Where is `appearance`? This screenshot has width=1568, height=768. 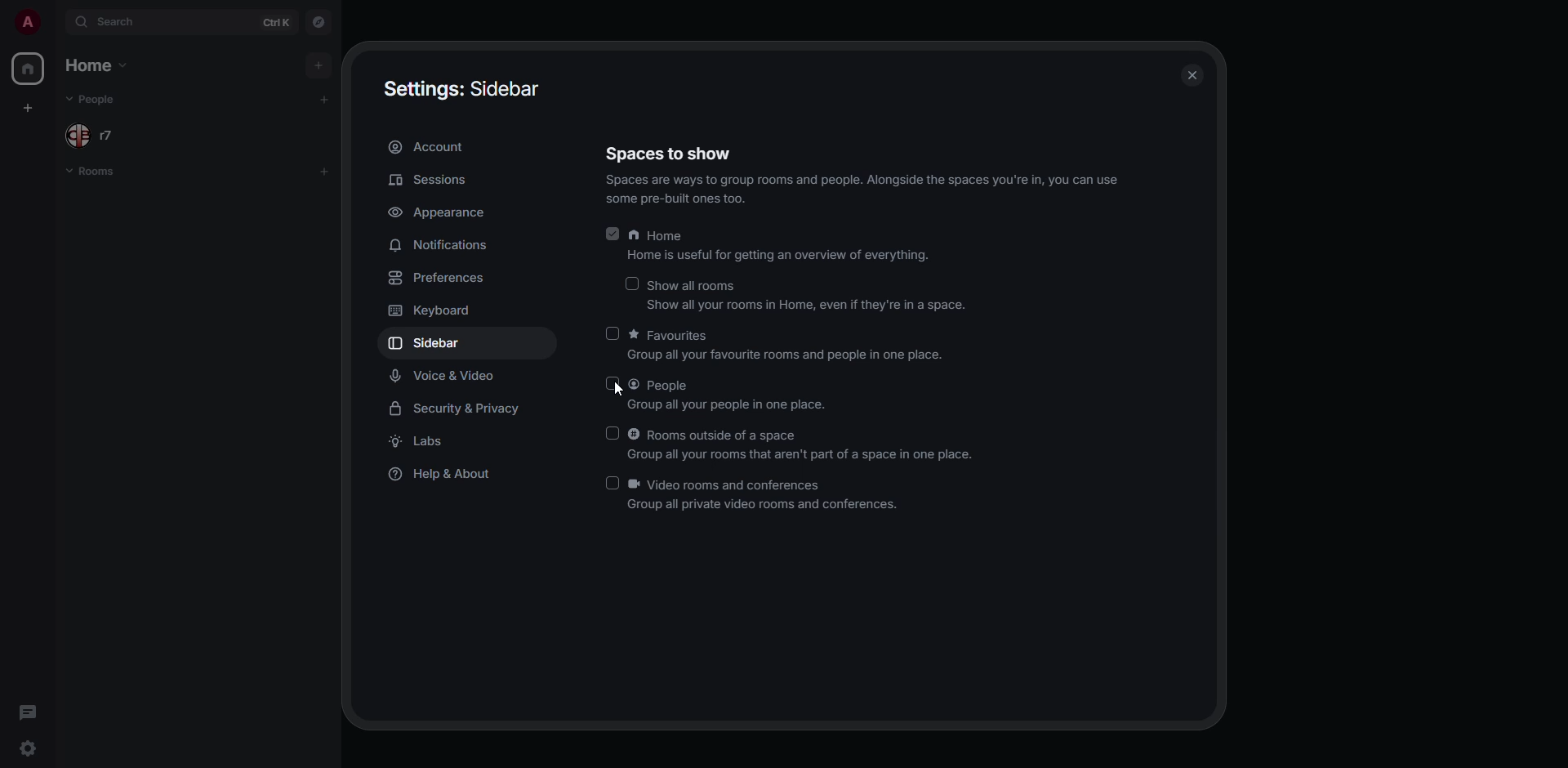
appearance is located at coordinates (453, 213).